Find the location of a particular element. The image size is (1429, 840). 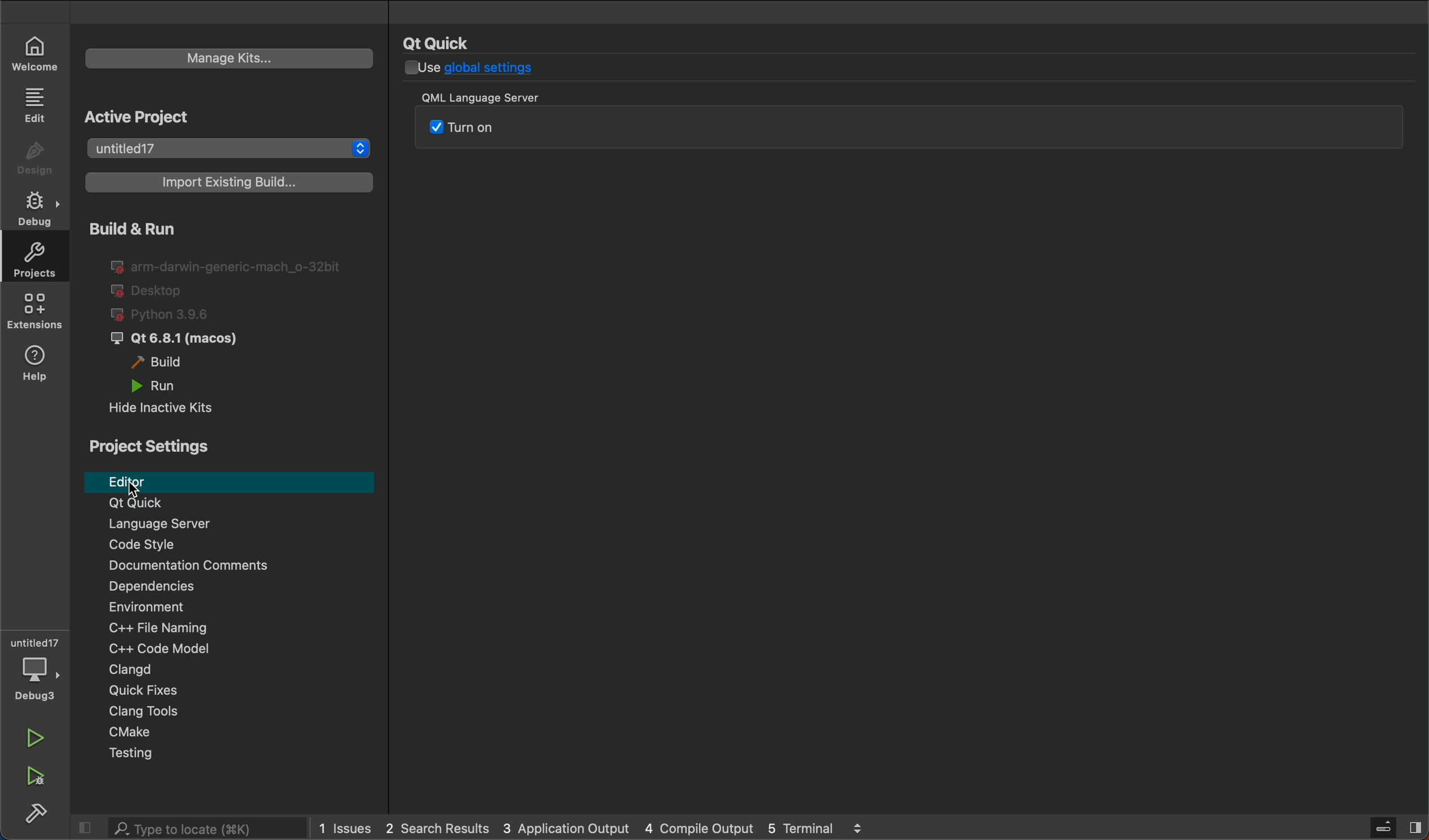

search is located at coordinates (189, 828).